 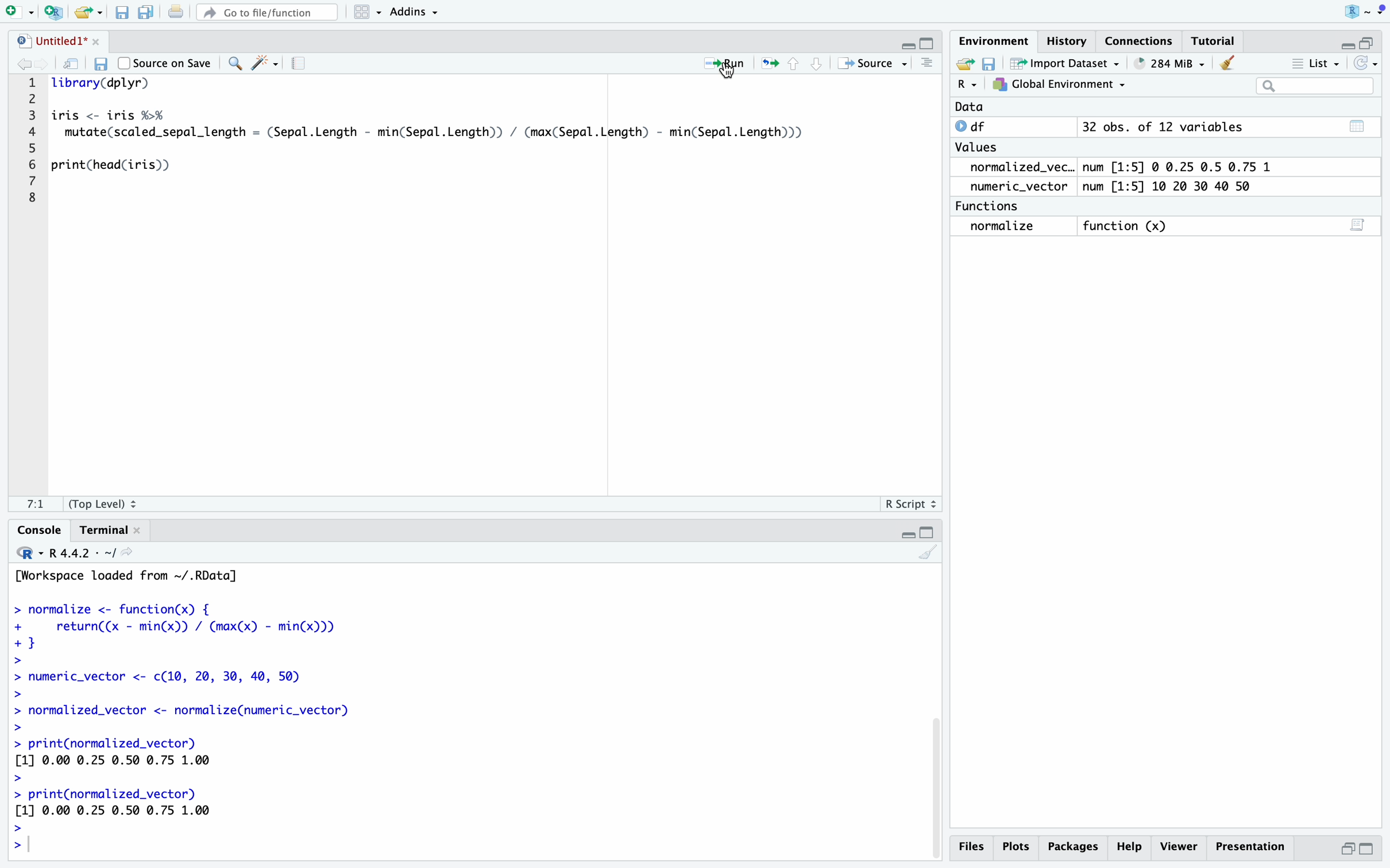 I want to click on Fullscreen, so click(x=918, y=42).